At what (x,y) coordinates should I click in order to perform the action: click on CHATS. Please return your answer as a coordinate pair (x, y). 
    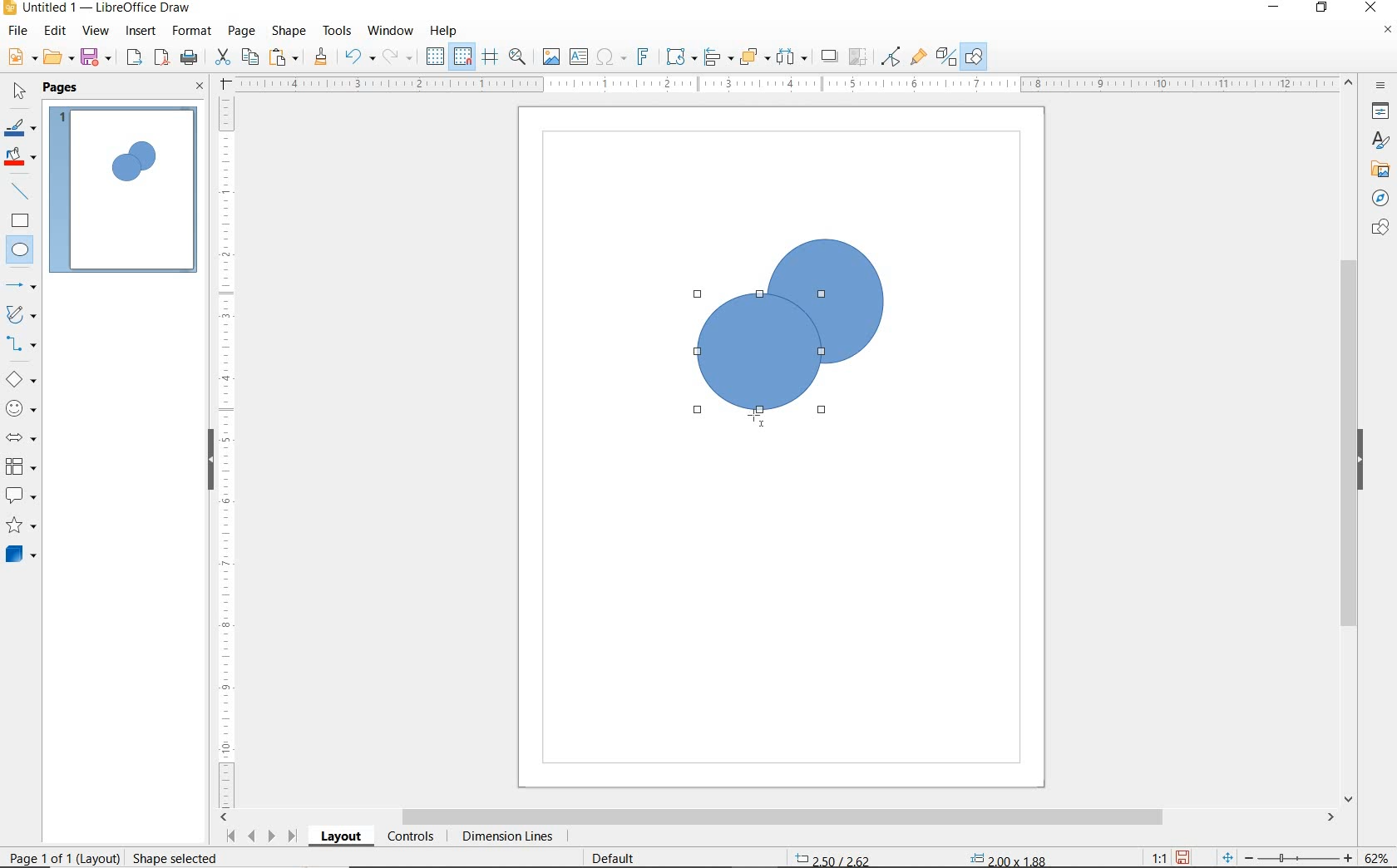
    Looking at the image, I should click on (1377, 235).